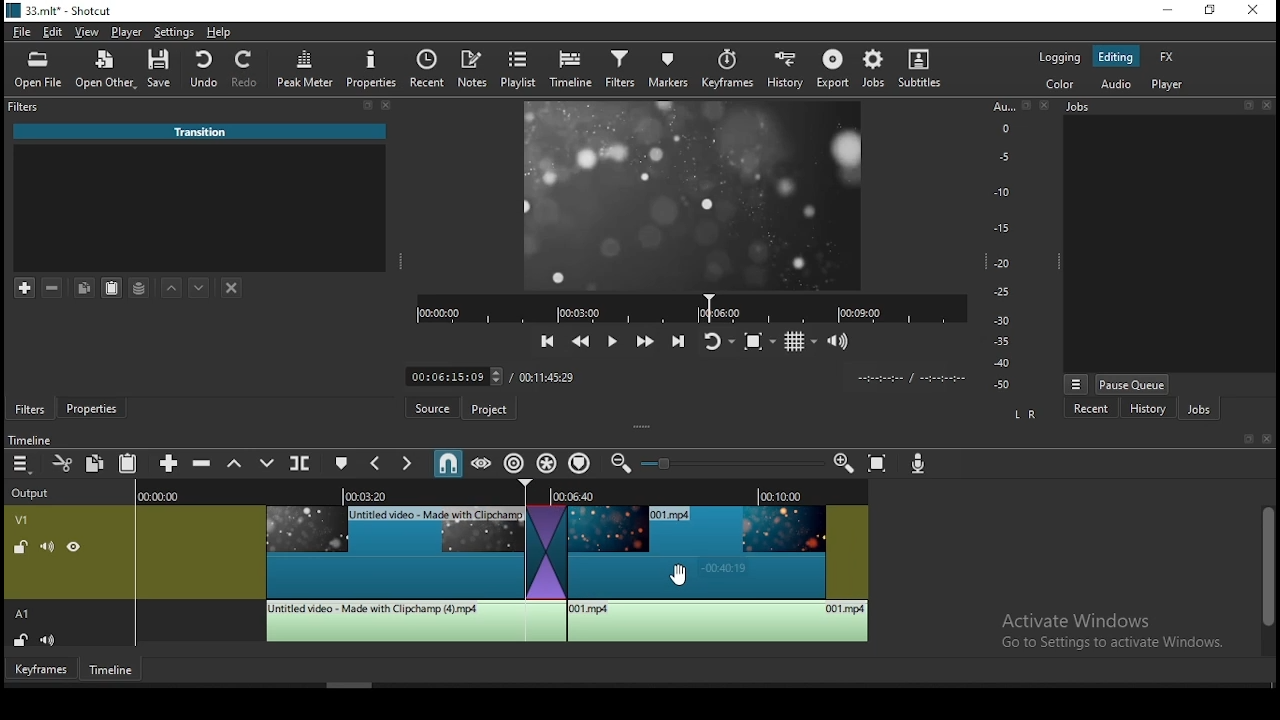 Image resolution: width=1280 pixels, height=720 pixels. Describe the element at coordinates (126, 32) in the screenshot. I see `player` at that location.